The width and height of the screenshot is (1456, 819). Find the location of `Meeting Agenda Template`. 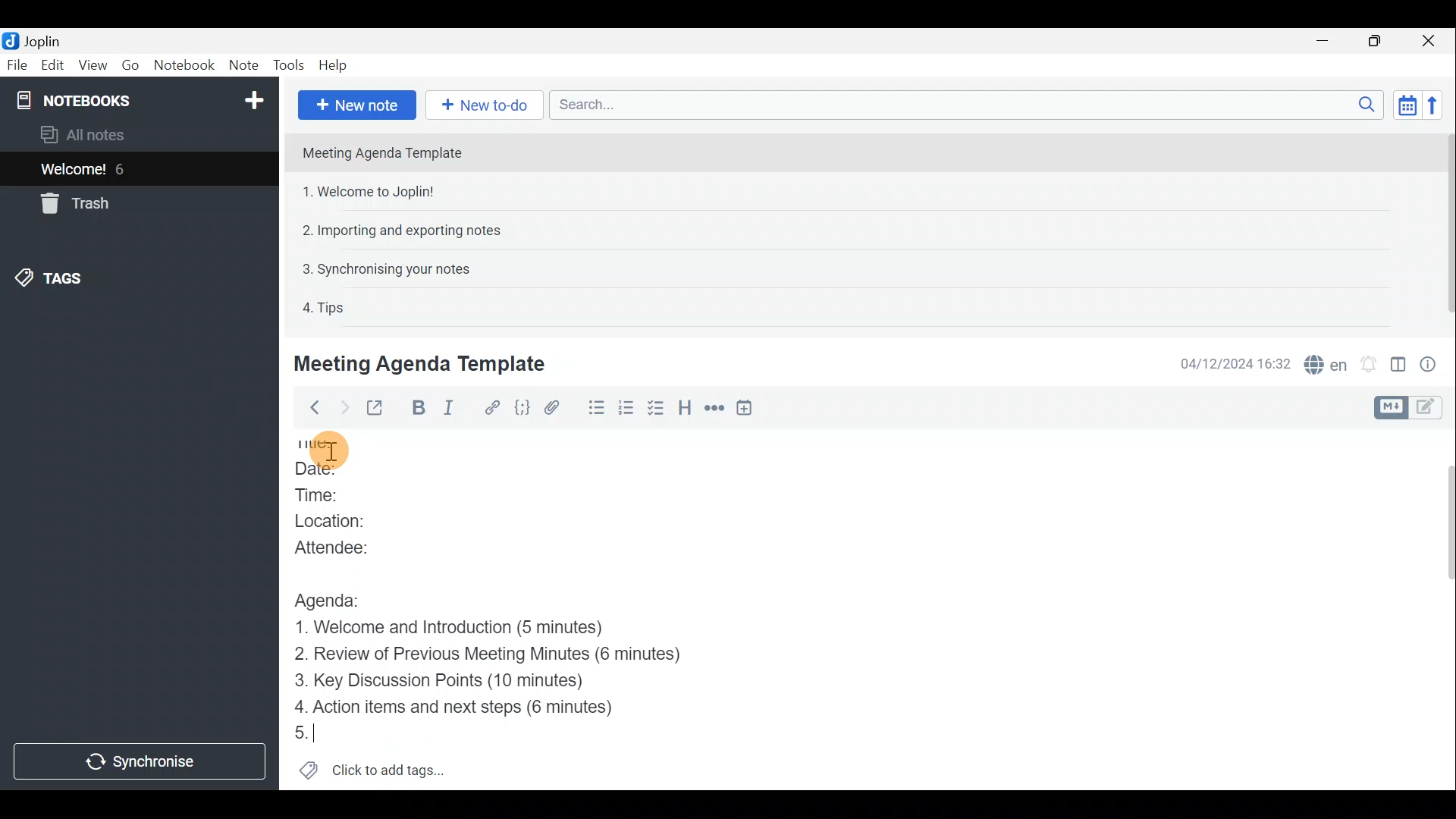

Meeting Agenda Template is located at coordinates (422, 363).